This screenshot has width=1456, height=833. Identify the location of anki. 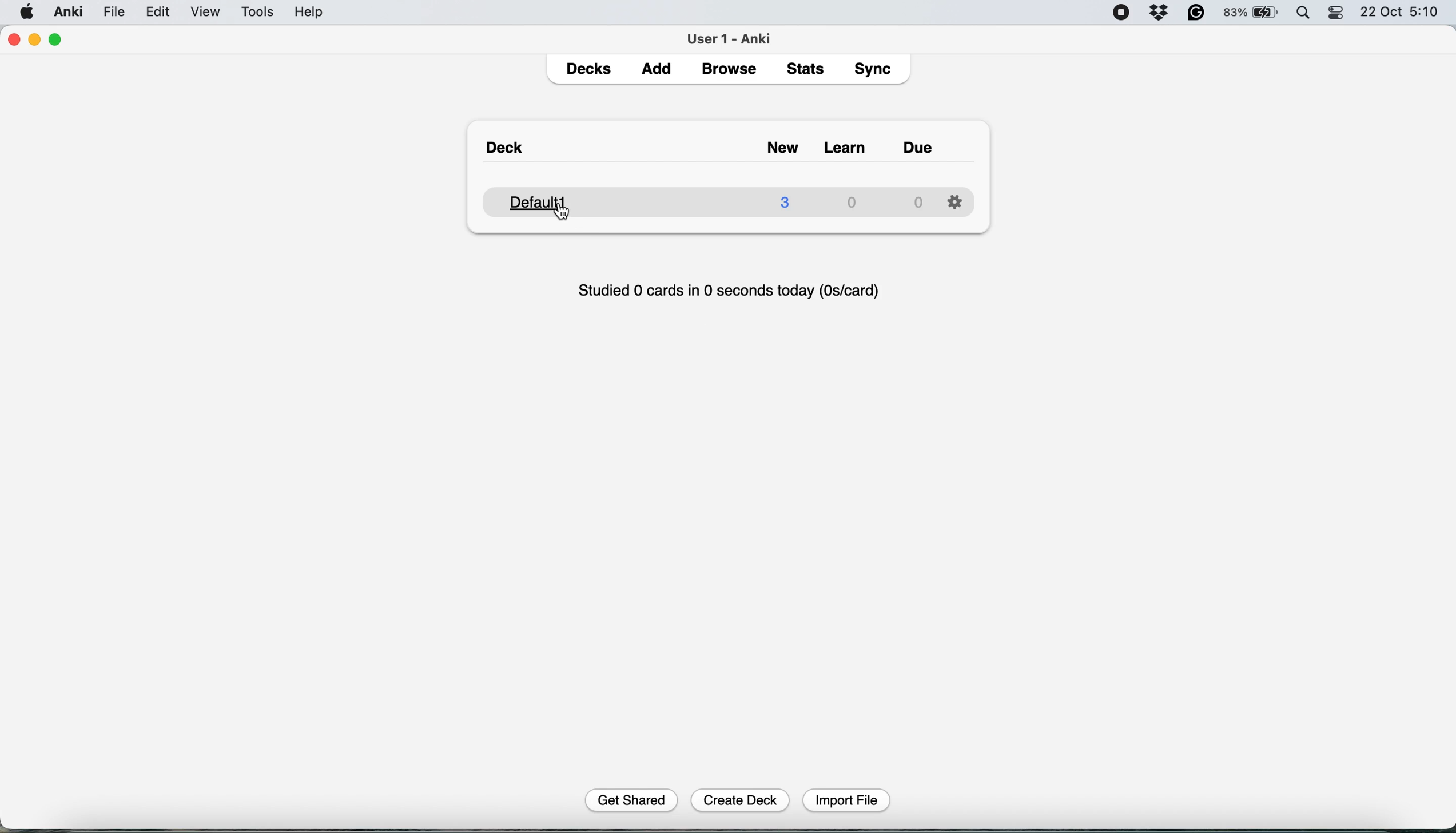
(70, 11).